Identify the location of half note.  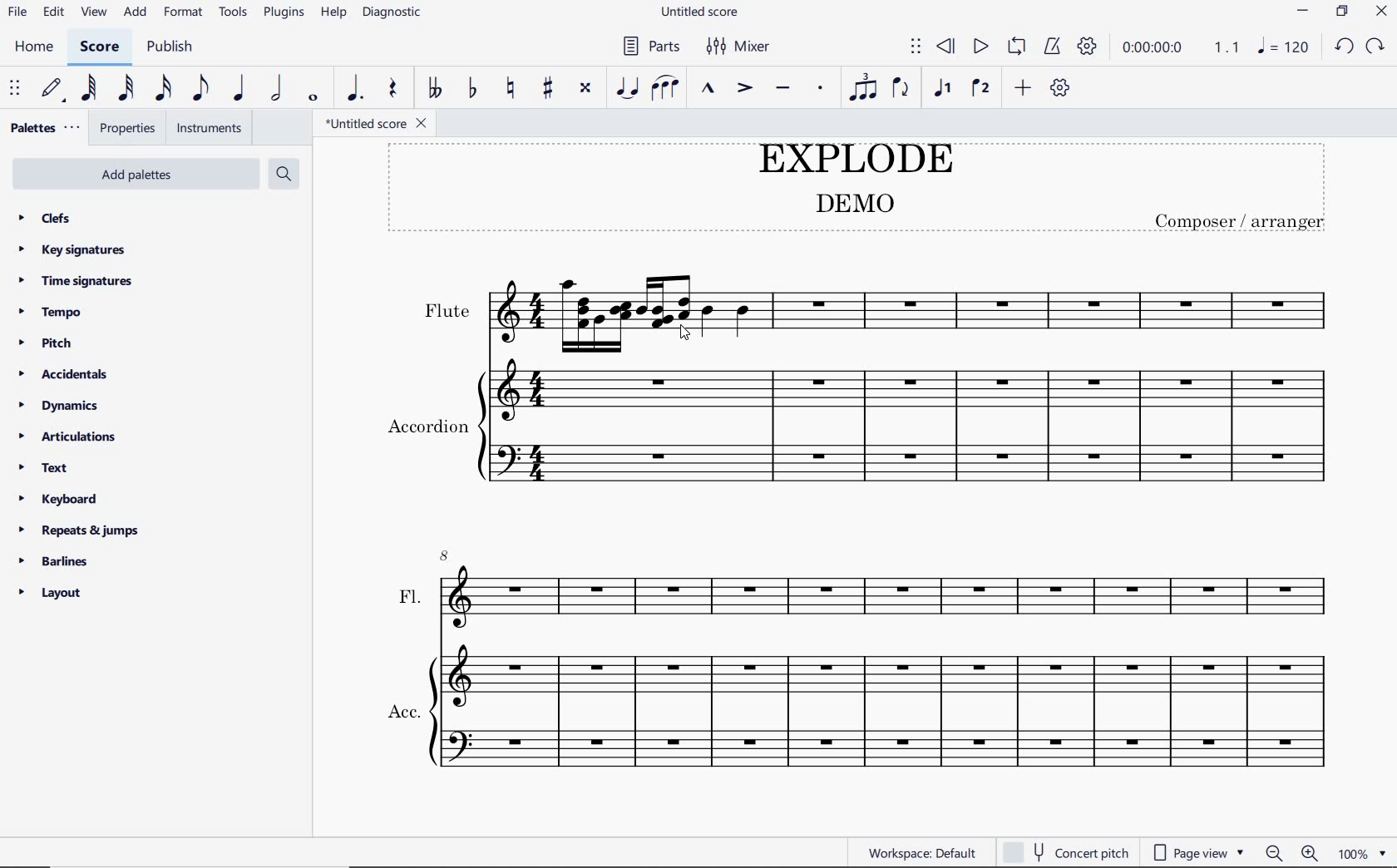
(278, 90).